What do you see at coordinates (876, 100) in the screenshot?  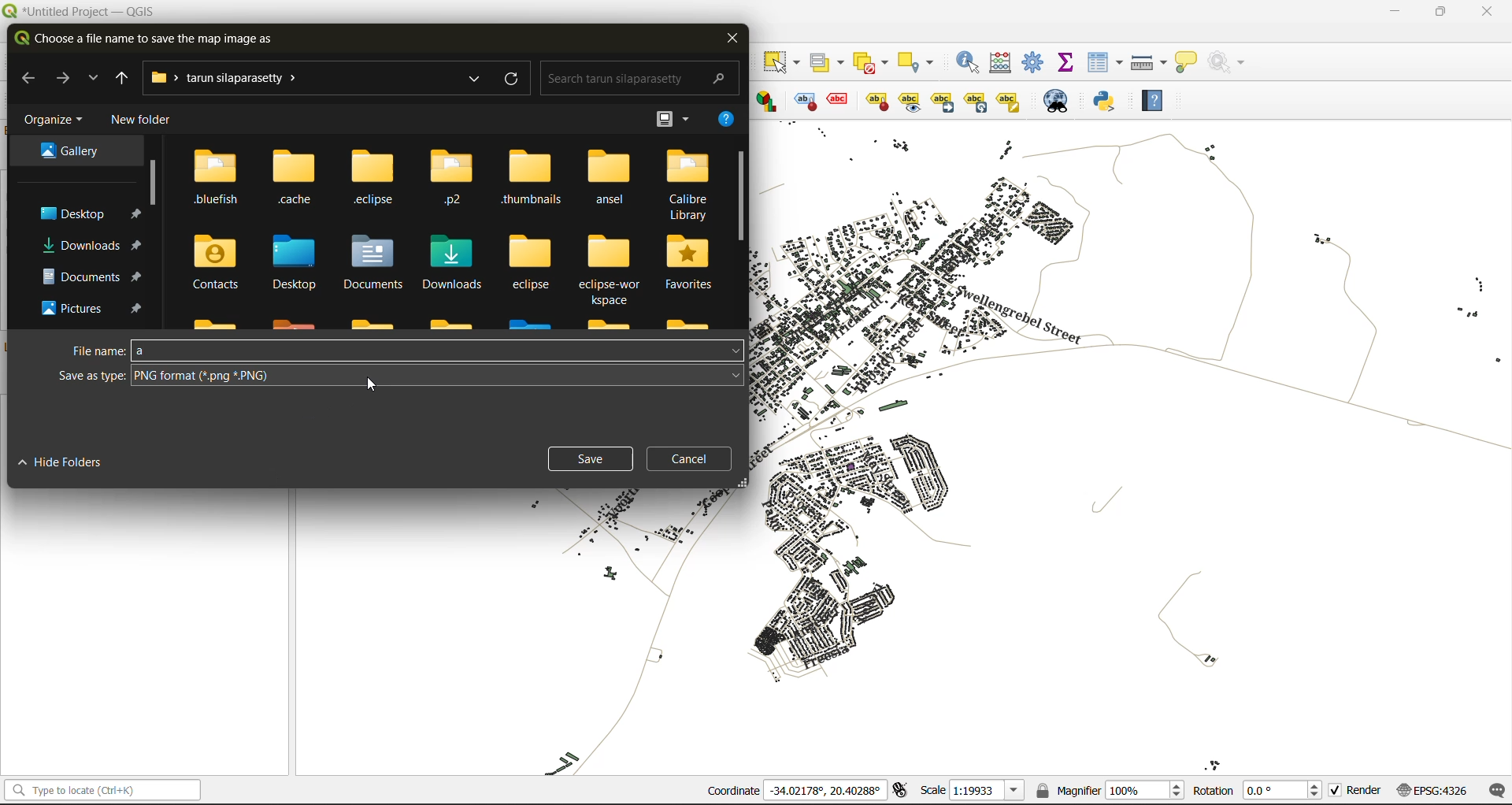 I see `show/hide lable and diagram ` at bounding box center [876, 100].